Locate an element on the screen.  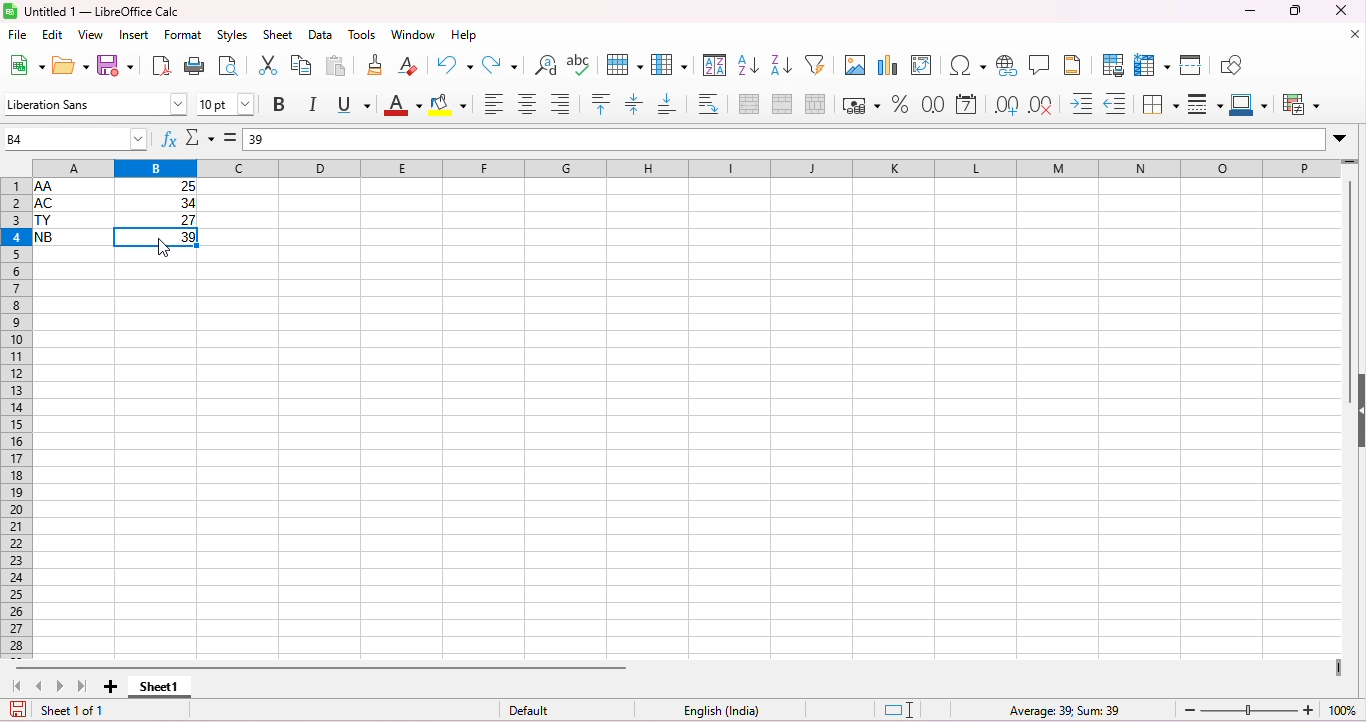
align left is located at coordinates (494, 106).